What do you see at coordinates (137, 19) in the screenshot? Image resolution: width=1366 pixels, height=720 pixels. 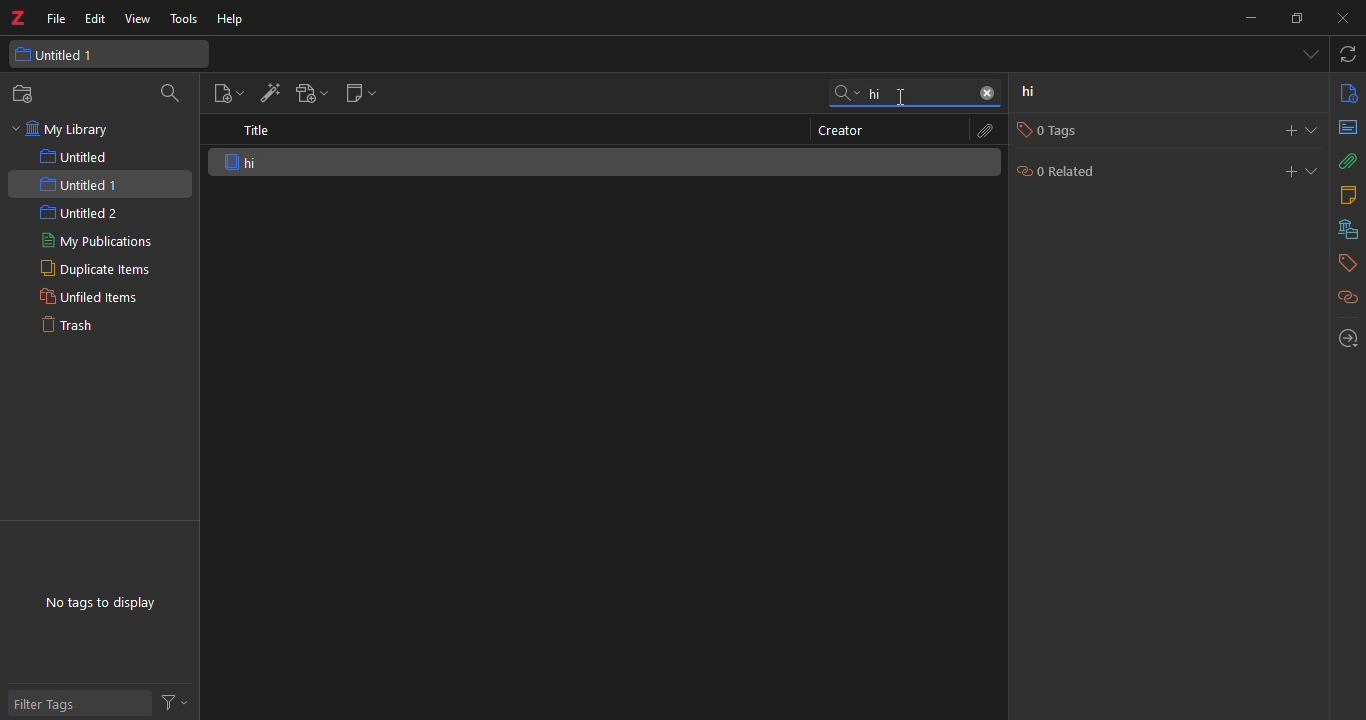 I see `view` at bounding box center [137, 19].